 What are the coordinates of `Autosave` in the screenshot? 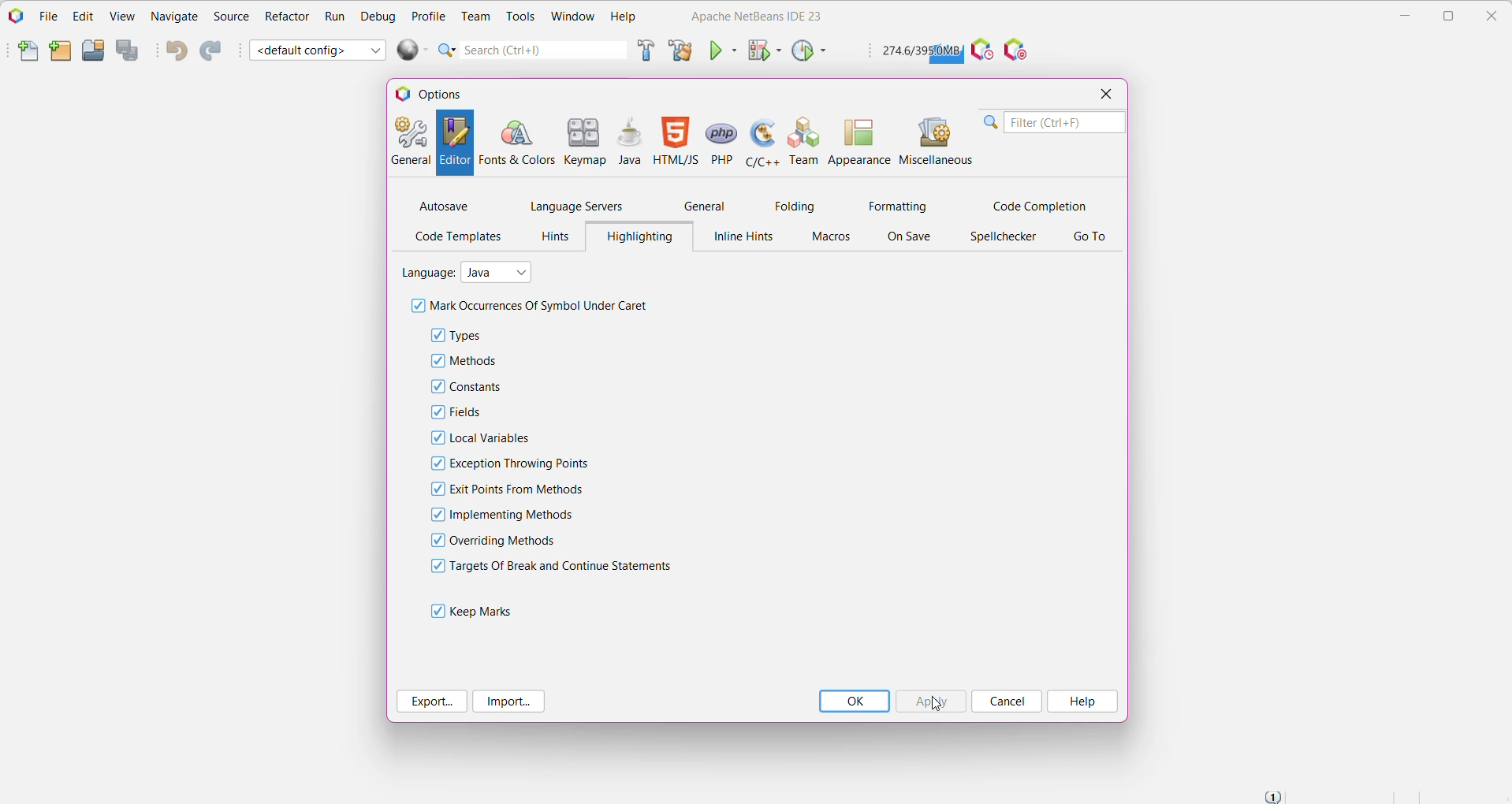 It's located at (445, 206).